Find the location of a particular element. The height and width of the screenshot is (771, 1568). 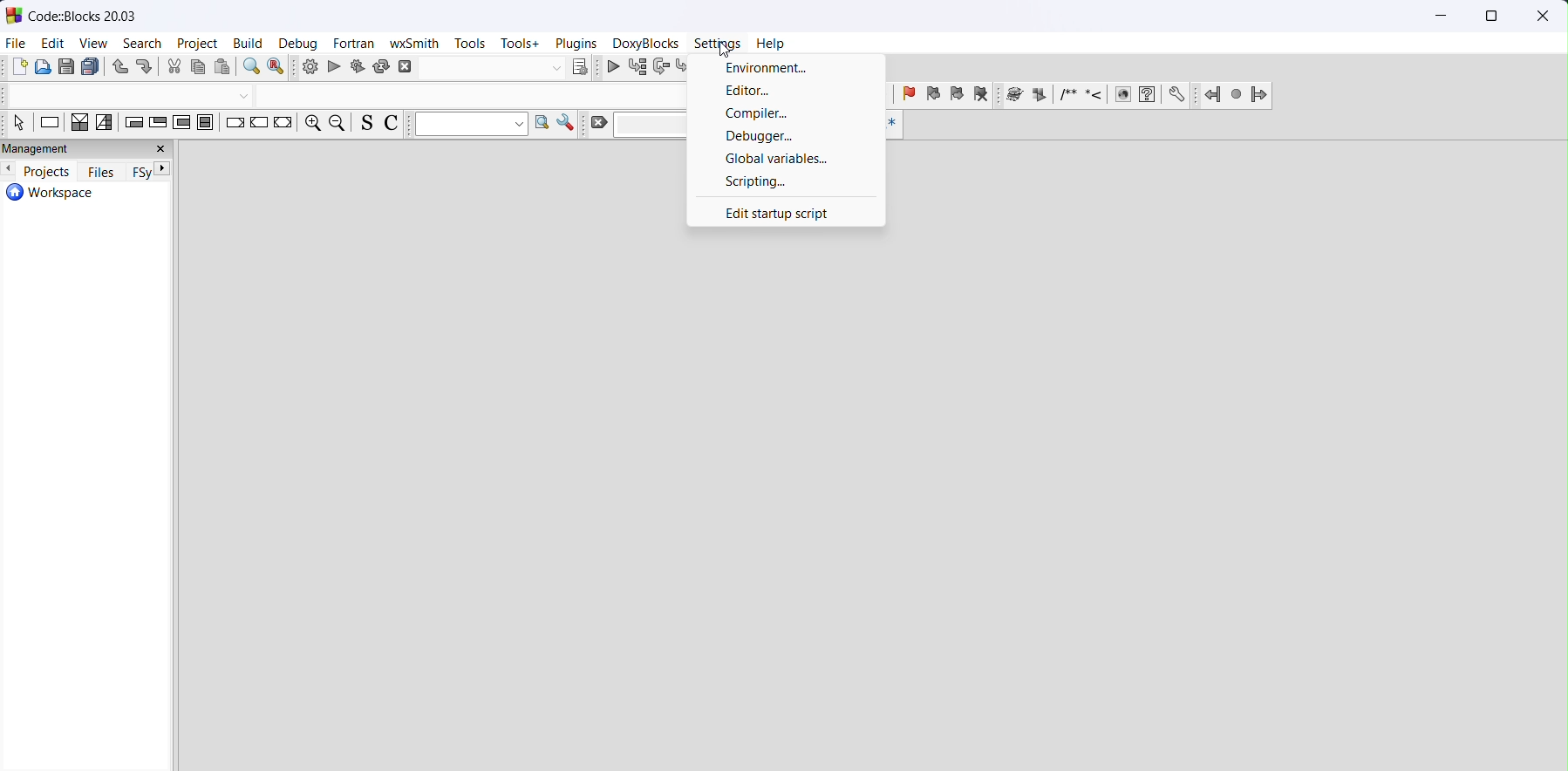

compiler is located at coordinates (787, 115).